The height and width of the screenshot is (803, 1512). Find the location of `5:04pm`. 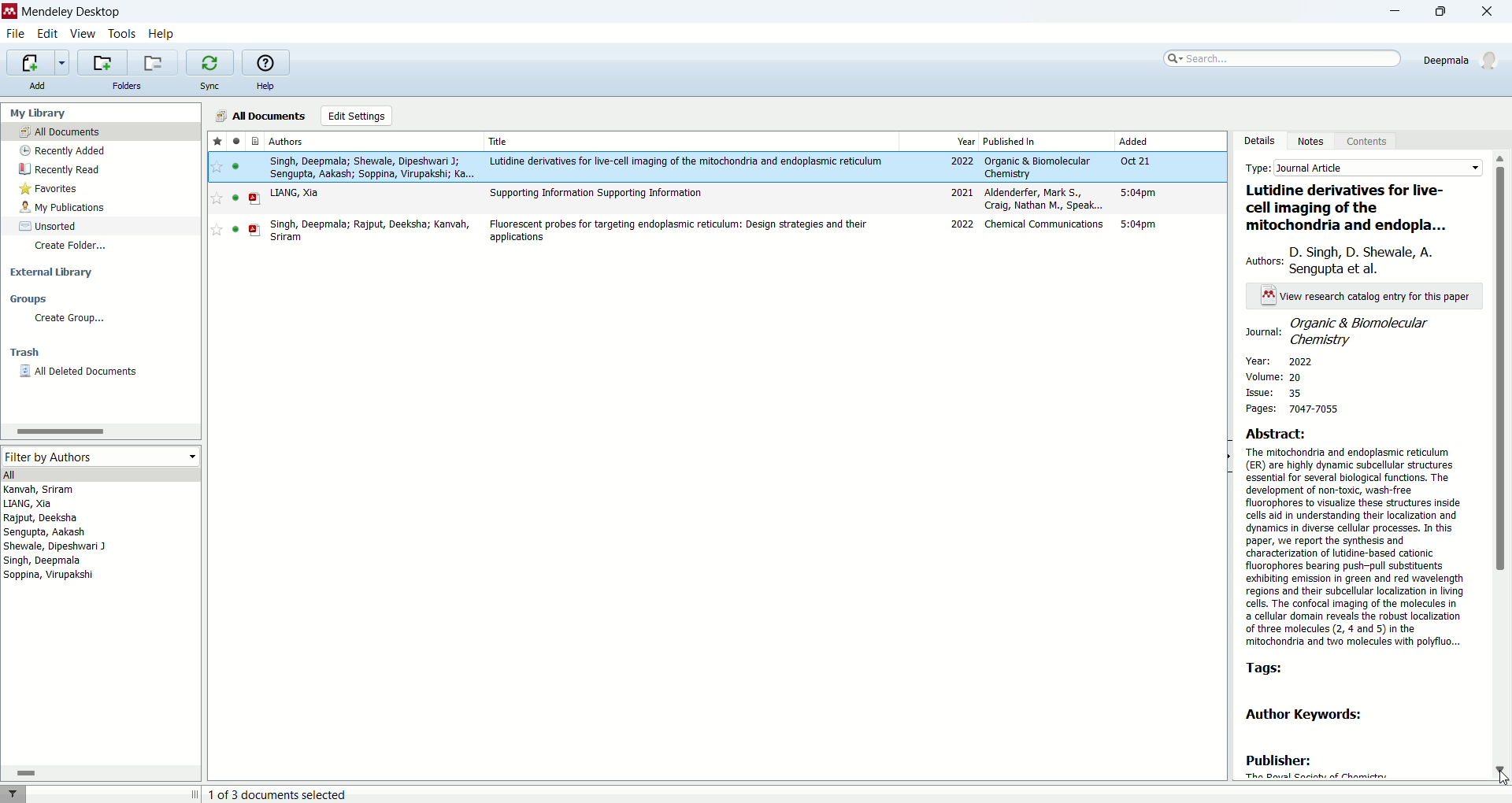

5:04pm is located at coordinates (1138, 224).